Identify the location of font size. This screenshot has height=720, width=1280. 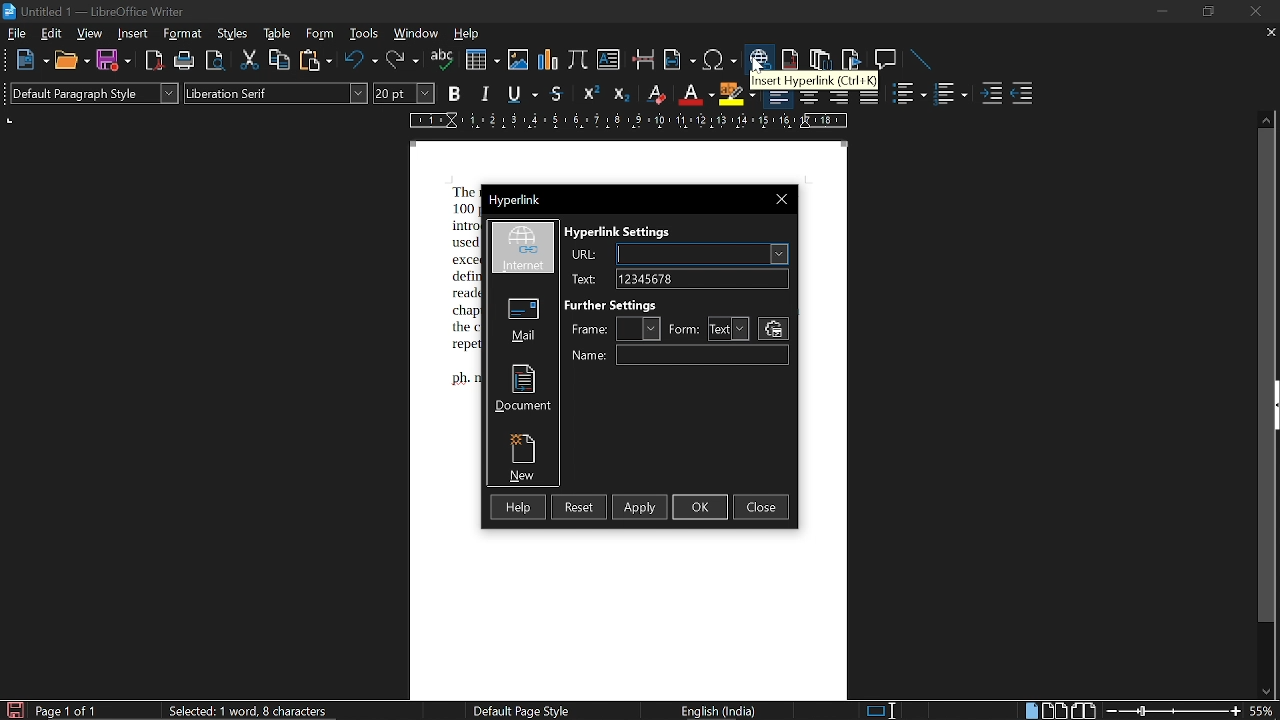
(405, 94).